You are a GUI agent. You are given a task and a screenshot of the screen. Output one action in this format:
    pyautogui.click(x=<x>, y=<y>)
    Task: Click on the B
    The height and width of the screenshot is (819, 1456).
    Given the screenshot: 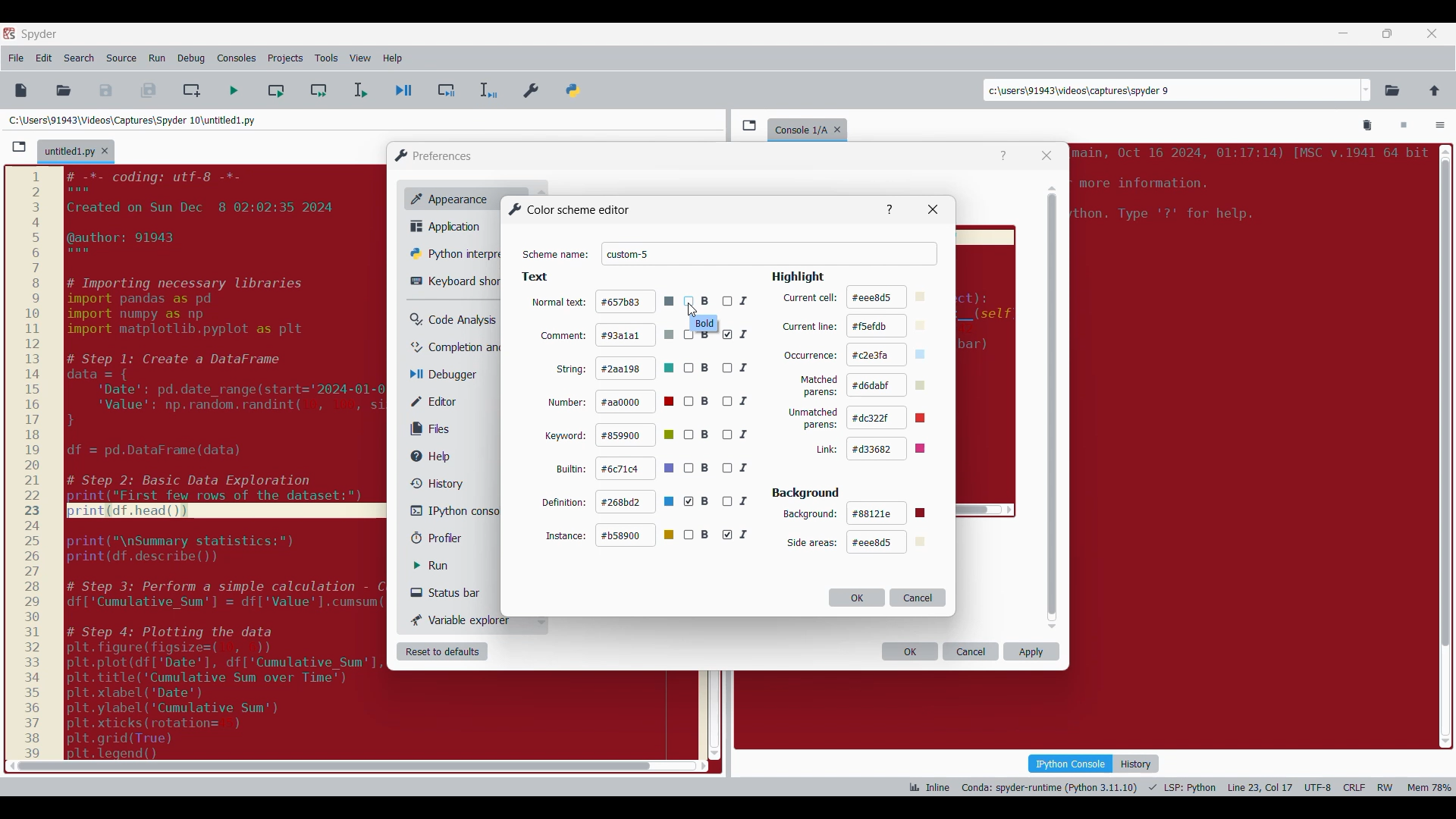 What is the action you would take?
    pyautogui.click(x=698, y=402)
    